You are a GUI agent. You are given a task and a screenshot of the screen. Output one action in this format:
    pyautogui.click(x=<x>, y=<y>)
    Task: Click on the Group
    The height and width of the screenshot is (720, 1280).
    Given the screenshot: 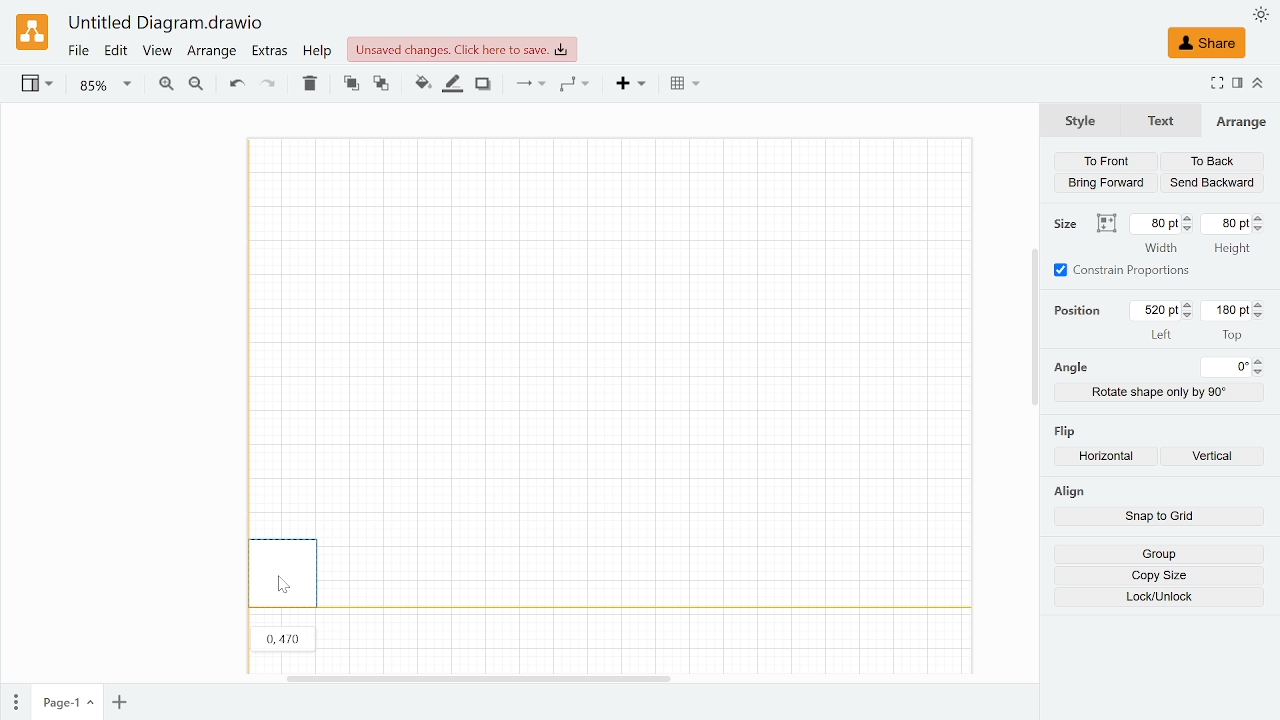 What is the action you would take?
    pyautogui.click(x=1158, y=554)
    